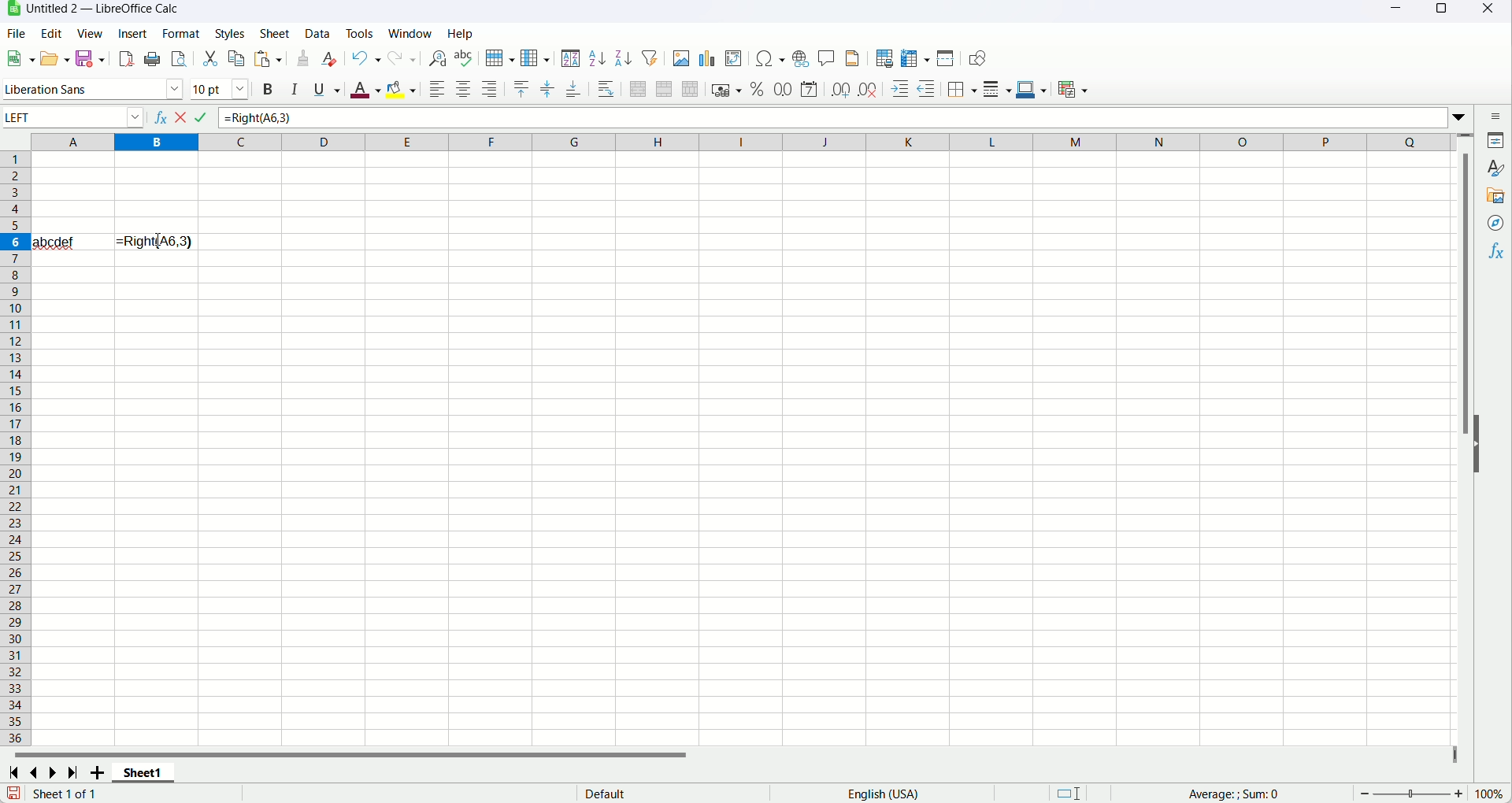 This screenshot has height=803, width=1512. What do you see at coordinates (1467, 439) in the screenshot?
I see `vertical scroll bar` at bounding box center [1467, 439].